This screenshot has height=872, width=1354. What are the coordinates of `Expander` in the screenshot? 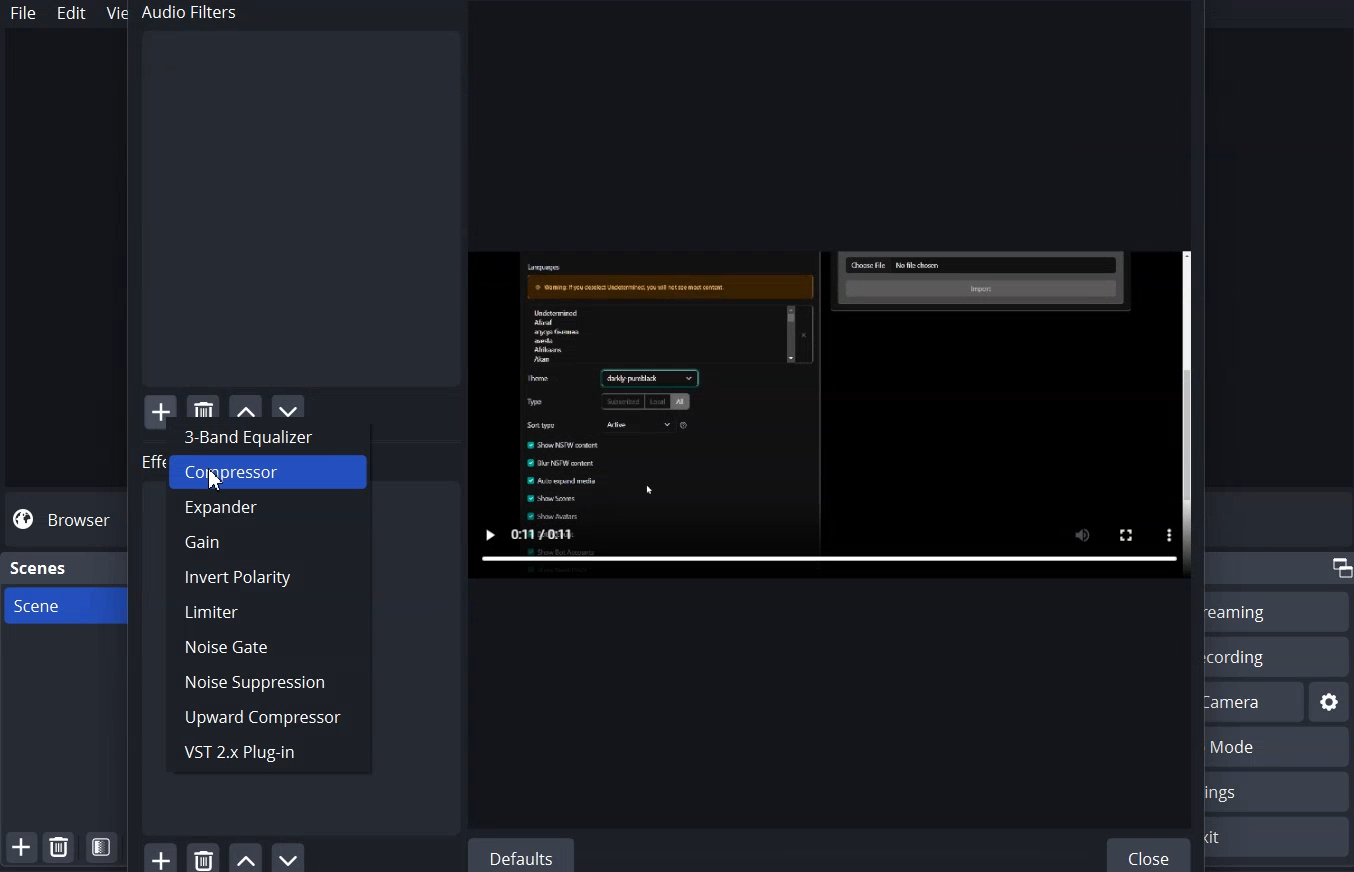 It's located at (269, 509).